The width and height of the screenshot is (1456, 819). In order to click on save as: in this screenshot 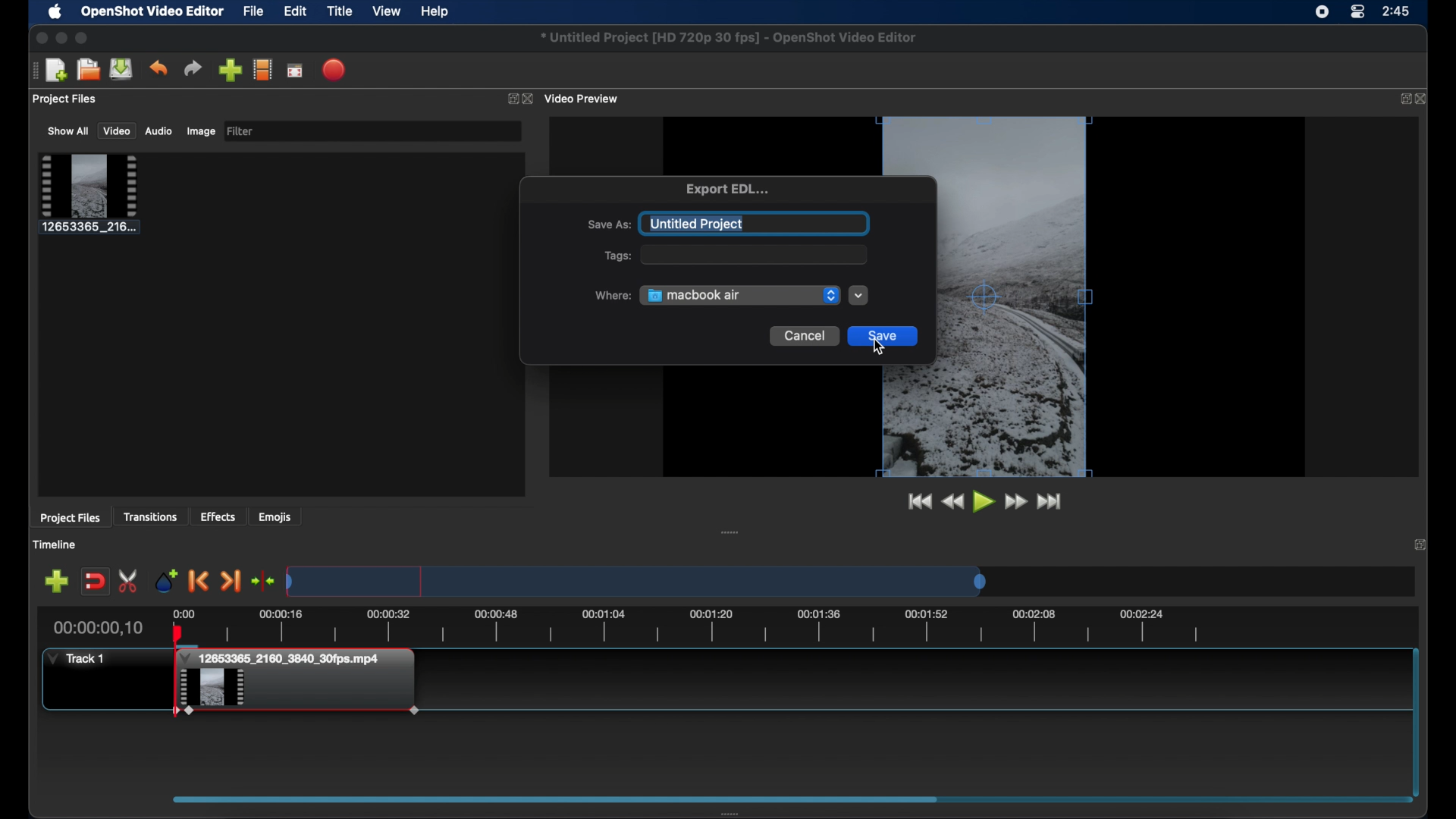, I will do `click(610, 224)`.